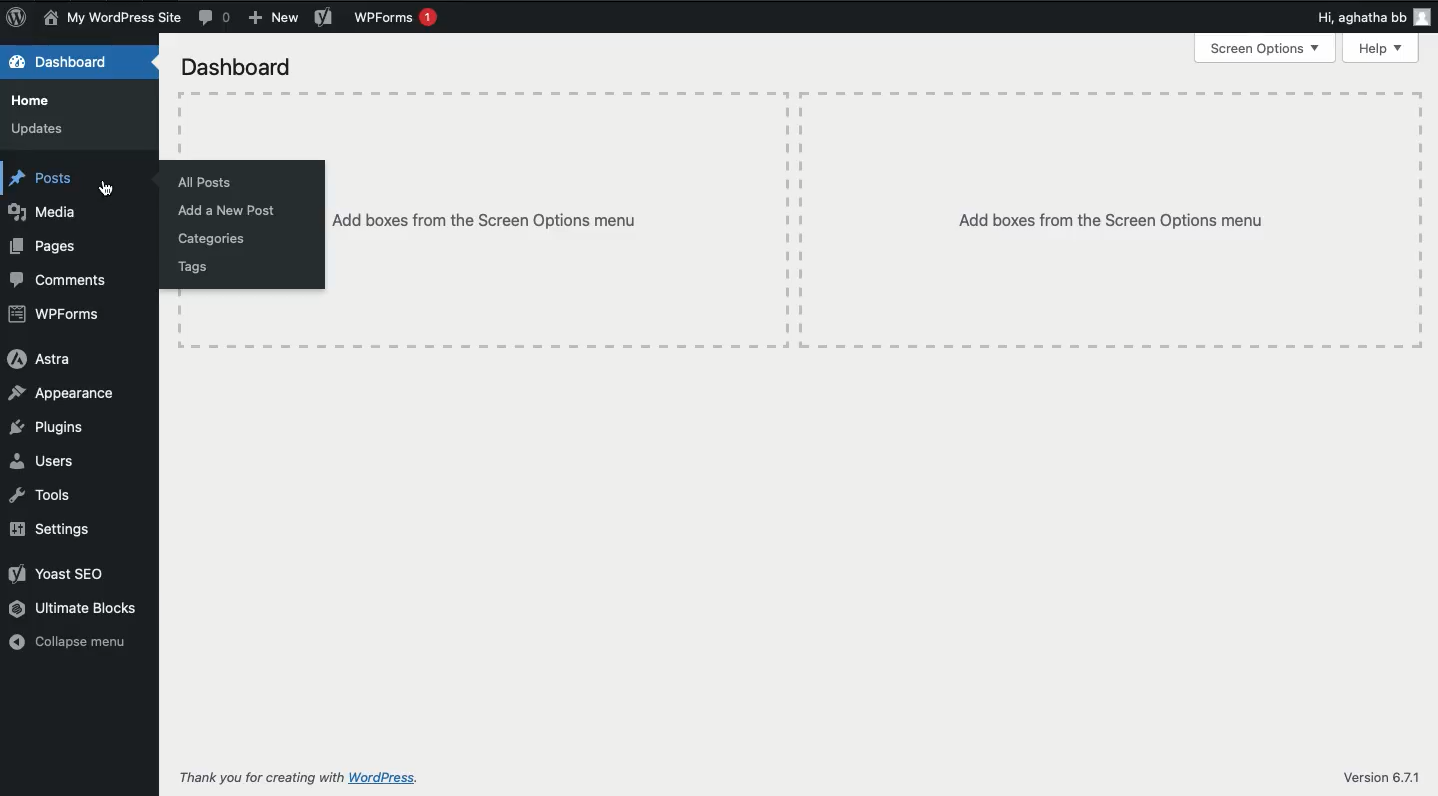 The width and height of the screenshot is (1438, 796). What do you see at coordinates (109, 192) in the screenshot?
I see `mouse pointer` at bounding box center [109, 192].